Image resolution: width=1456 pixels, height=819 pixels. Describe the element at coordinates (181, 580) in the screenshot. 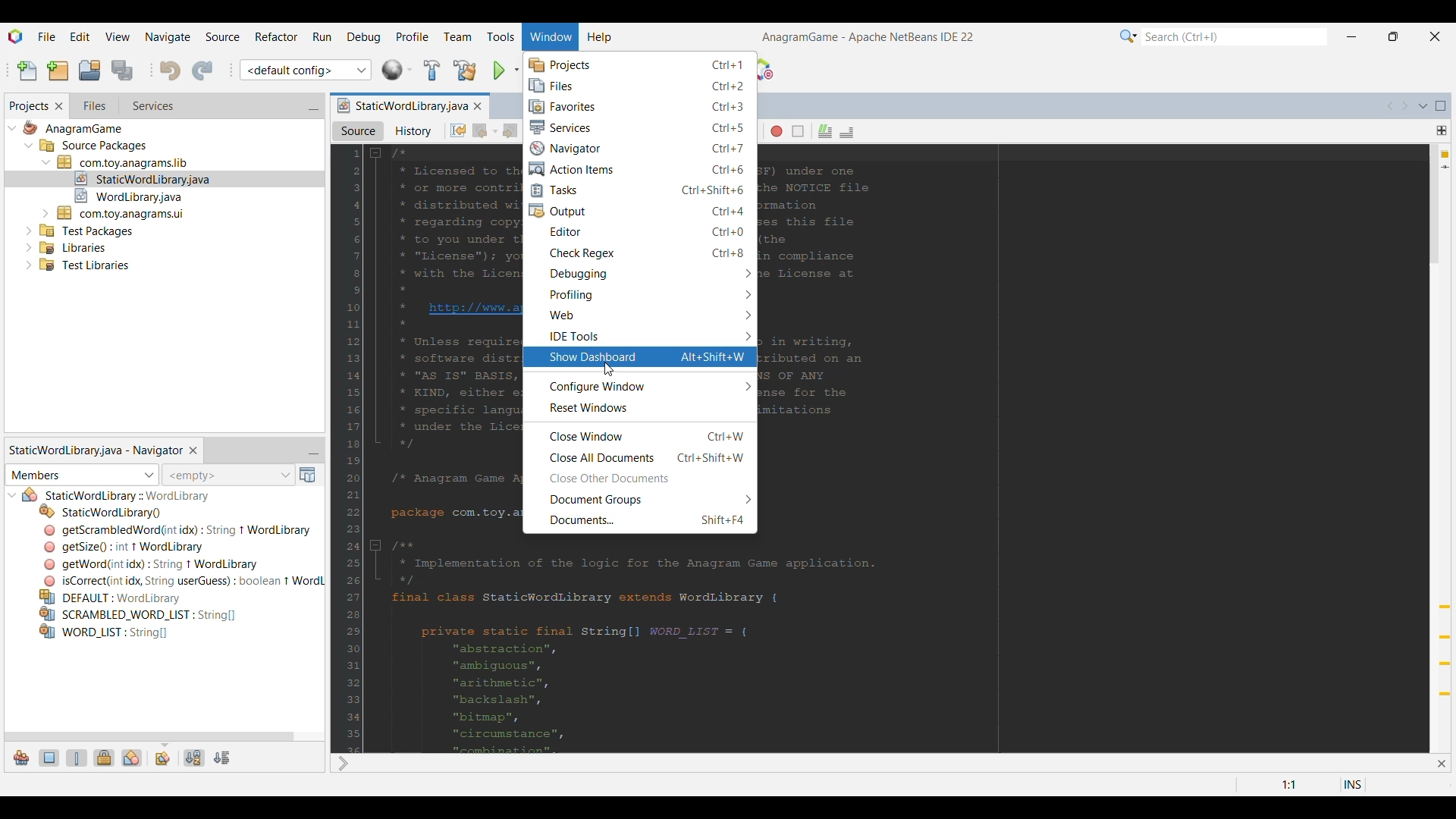

I see `` at that location.